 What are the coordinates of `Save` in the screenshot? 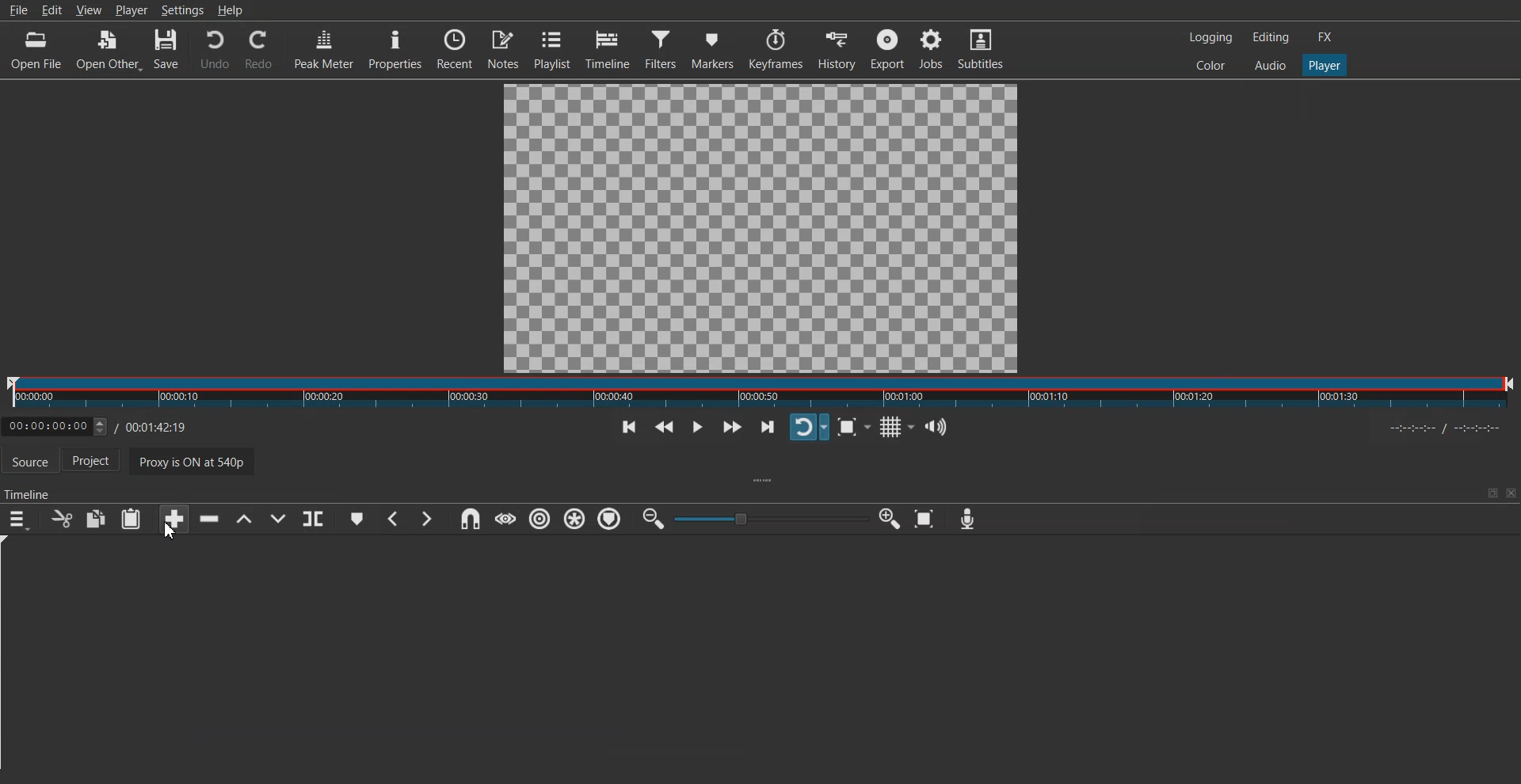 It's located at (167, 50).